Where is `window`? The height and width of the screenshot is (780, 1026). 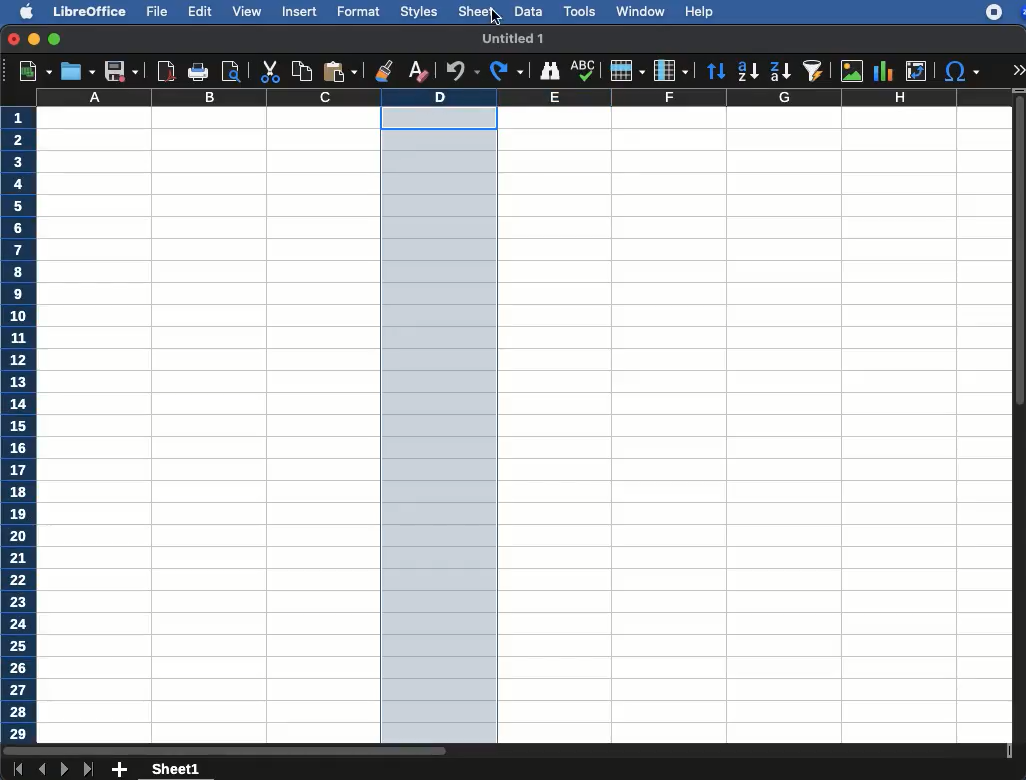 window is located at coordinates (639, 11).